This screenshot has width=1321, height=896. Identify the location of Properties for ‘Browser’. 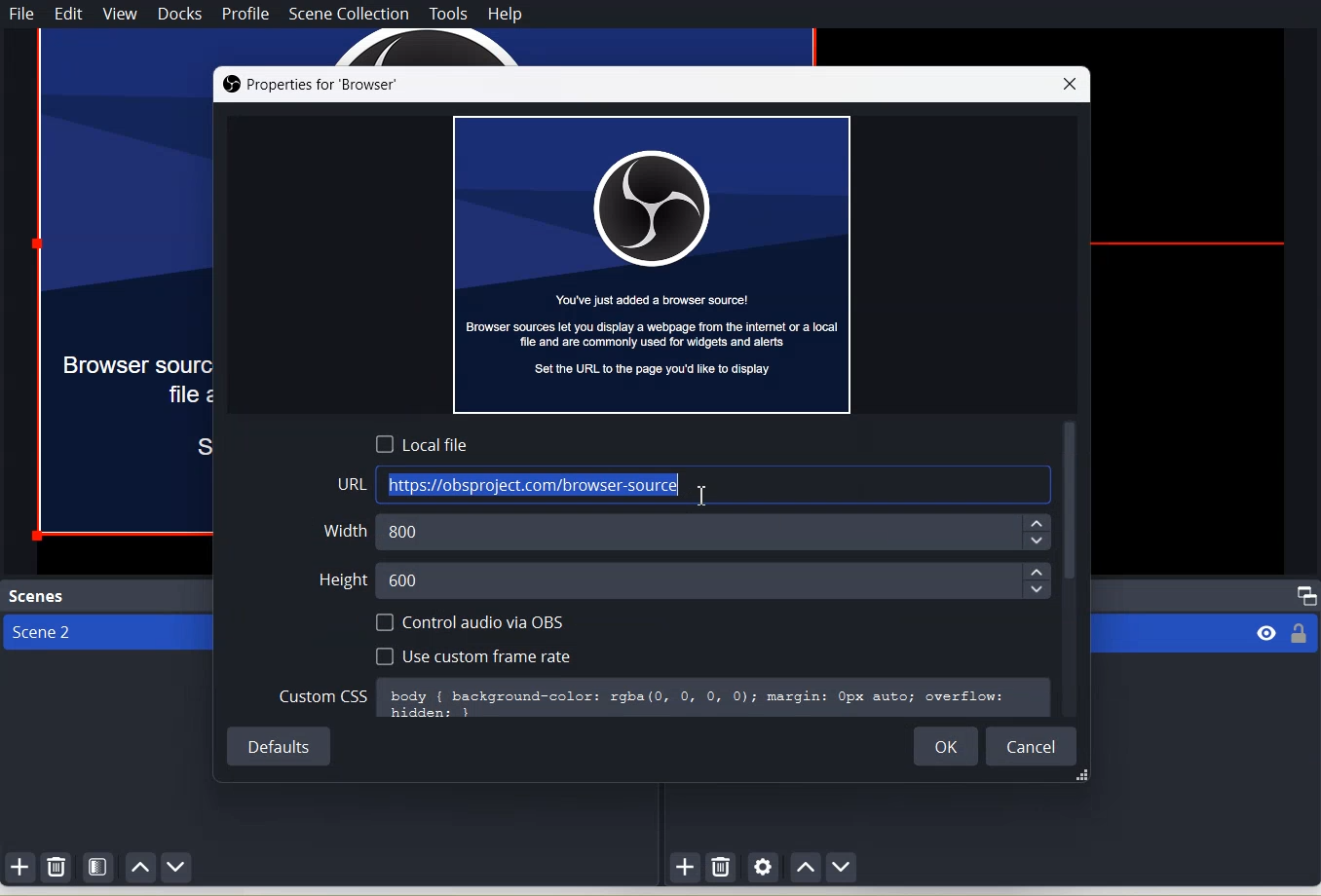
(316, 85).